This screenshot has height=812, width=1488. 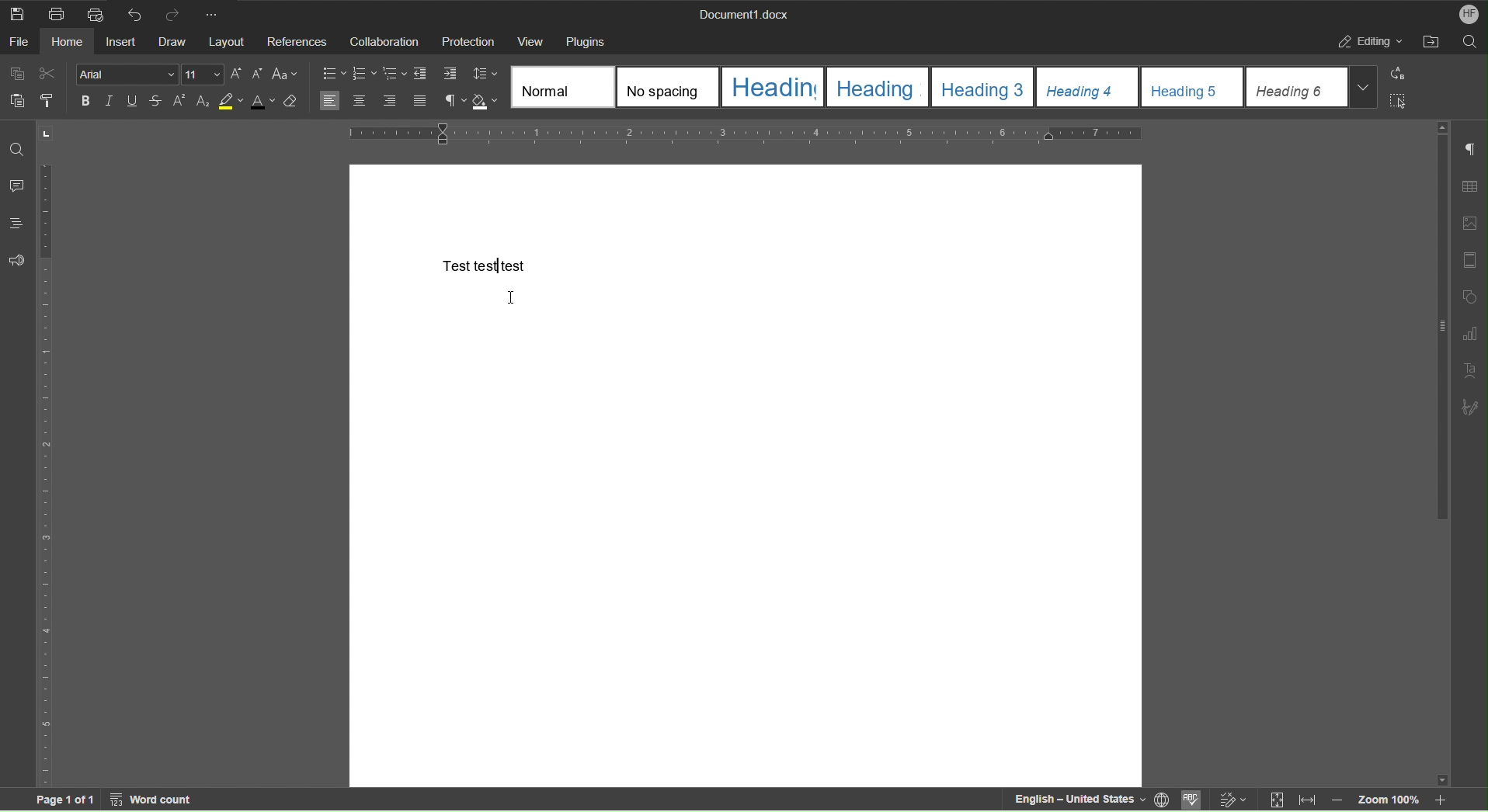 I want to click on Superscript, so click(x=179, y=102).